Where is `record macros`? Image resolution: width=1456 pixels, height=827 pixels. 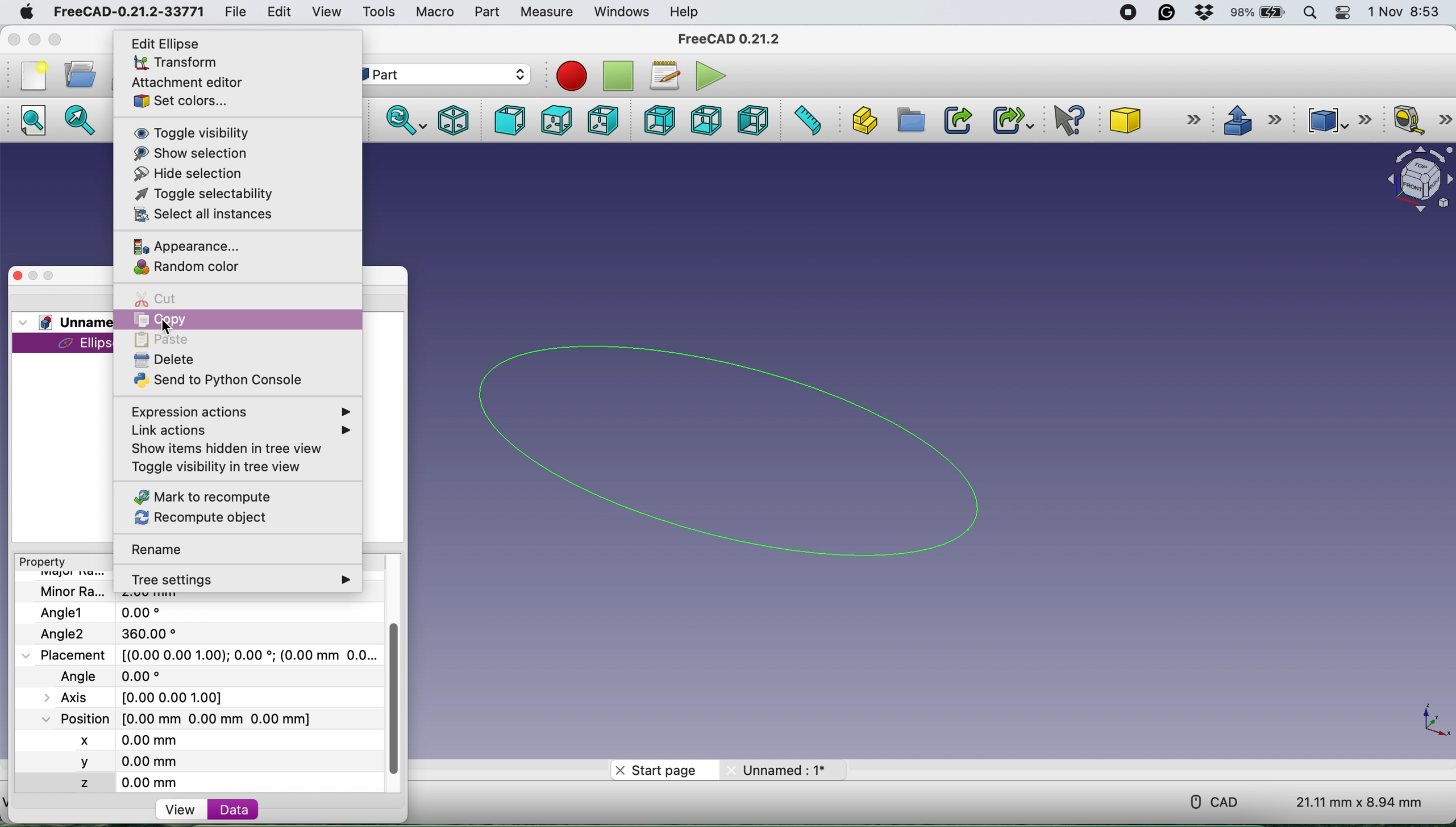 record macros is located at coordinates (571, 75).